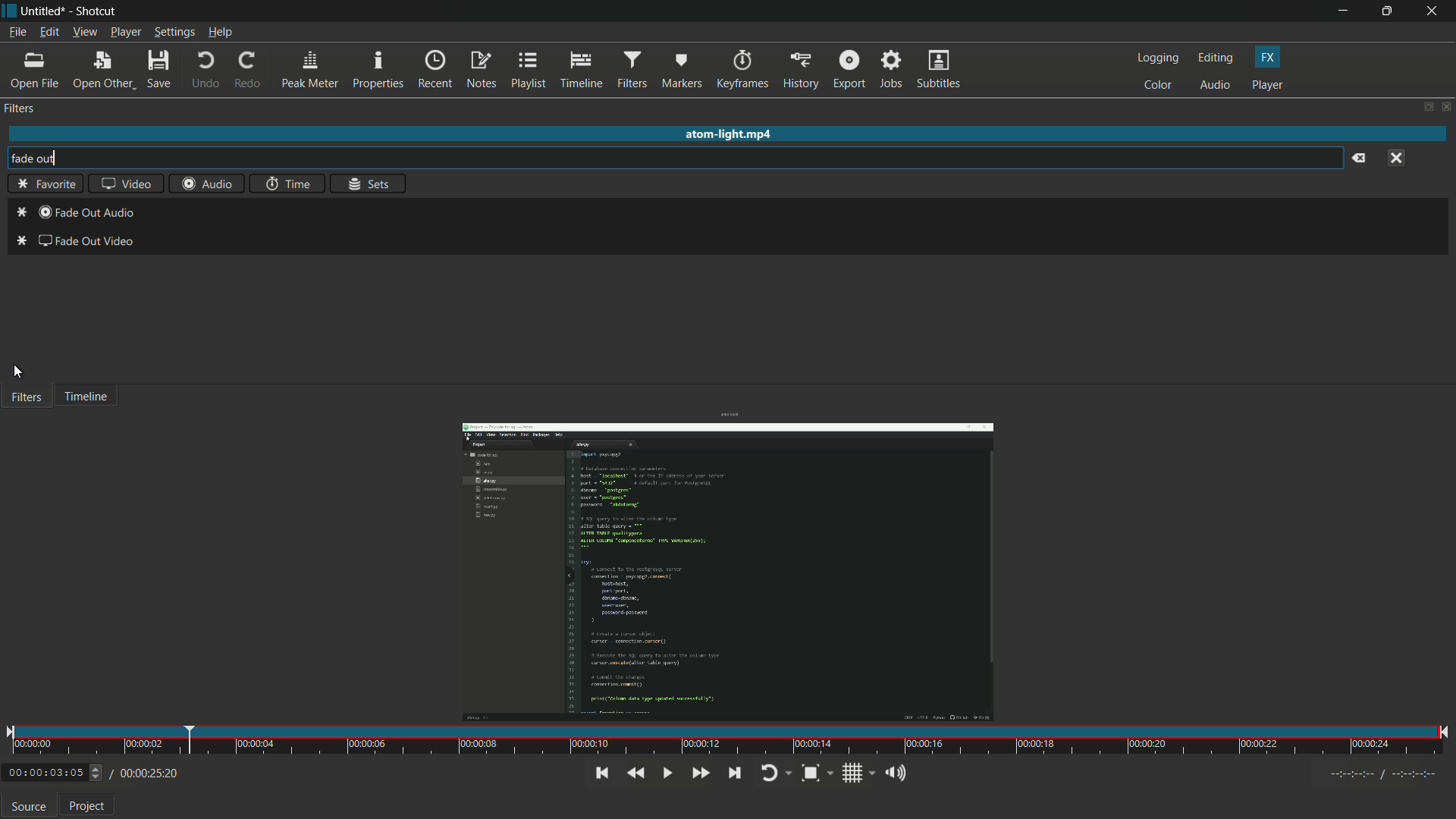 The image size is (1456, 819). I want to click on open other, so click(103, 71).